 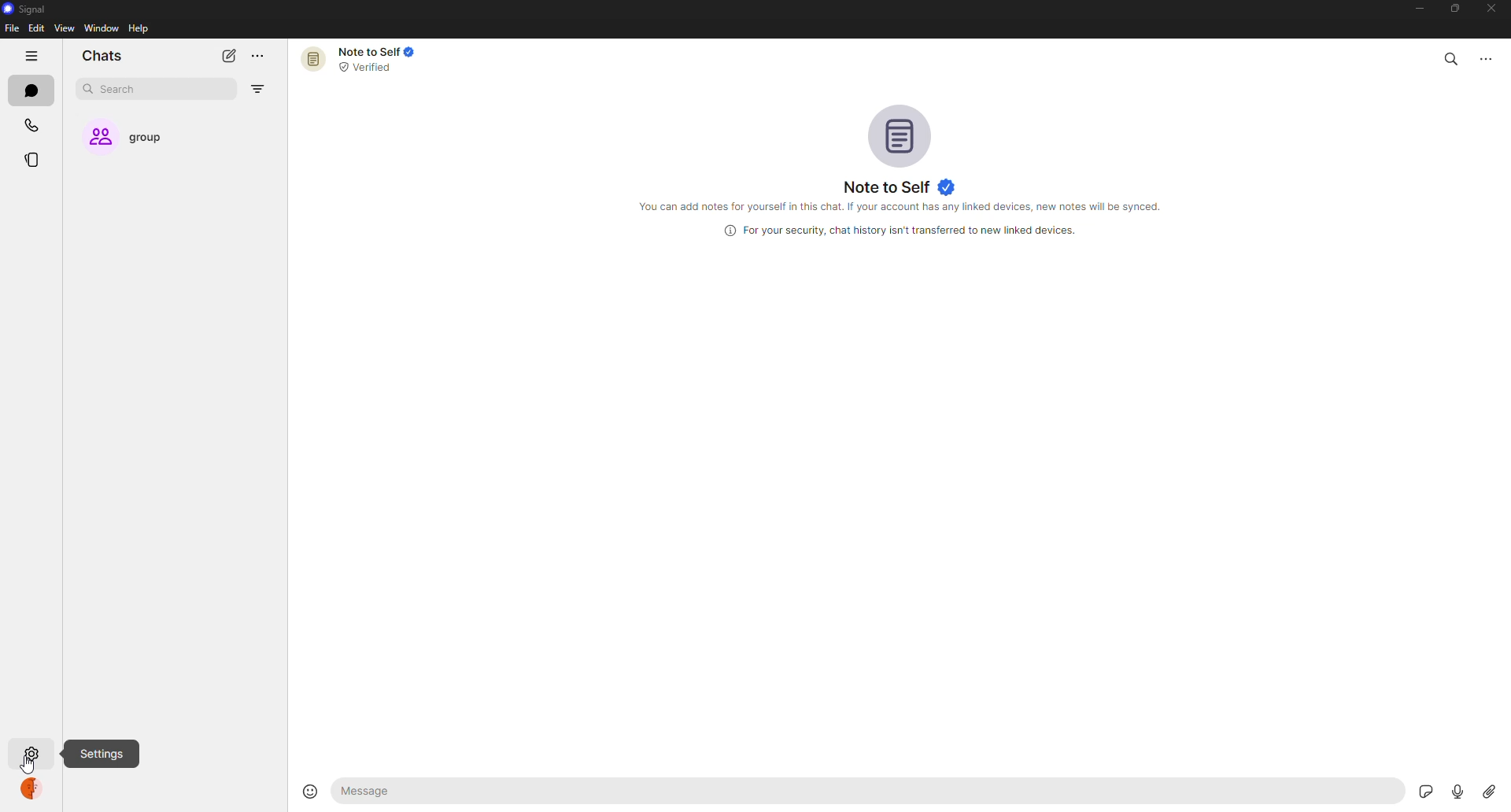 I want to click on new chat, so click(x=228, y=55).